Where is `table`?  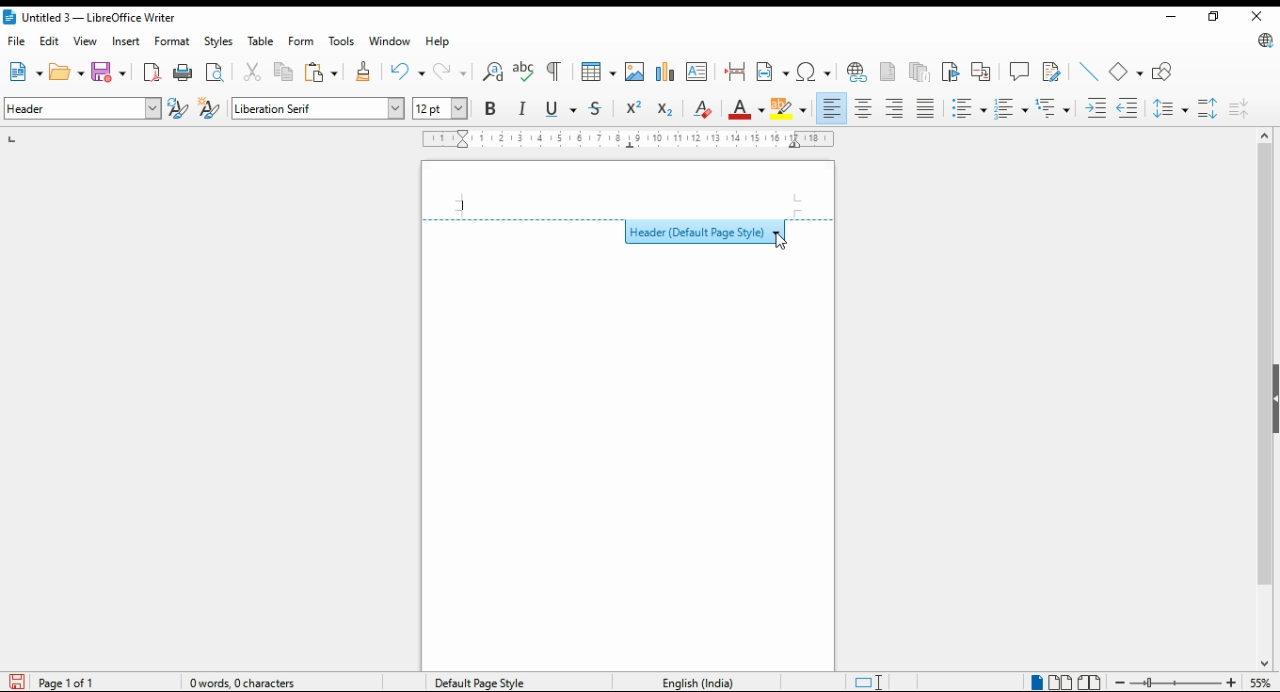
table is located at coordinates (263, 41).